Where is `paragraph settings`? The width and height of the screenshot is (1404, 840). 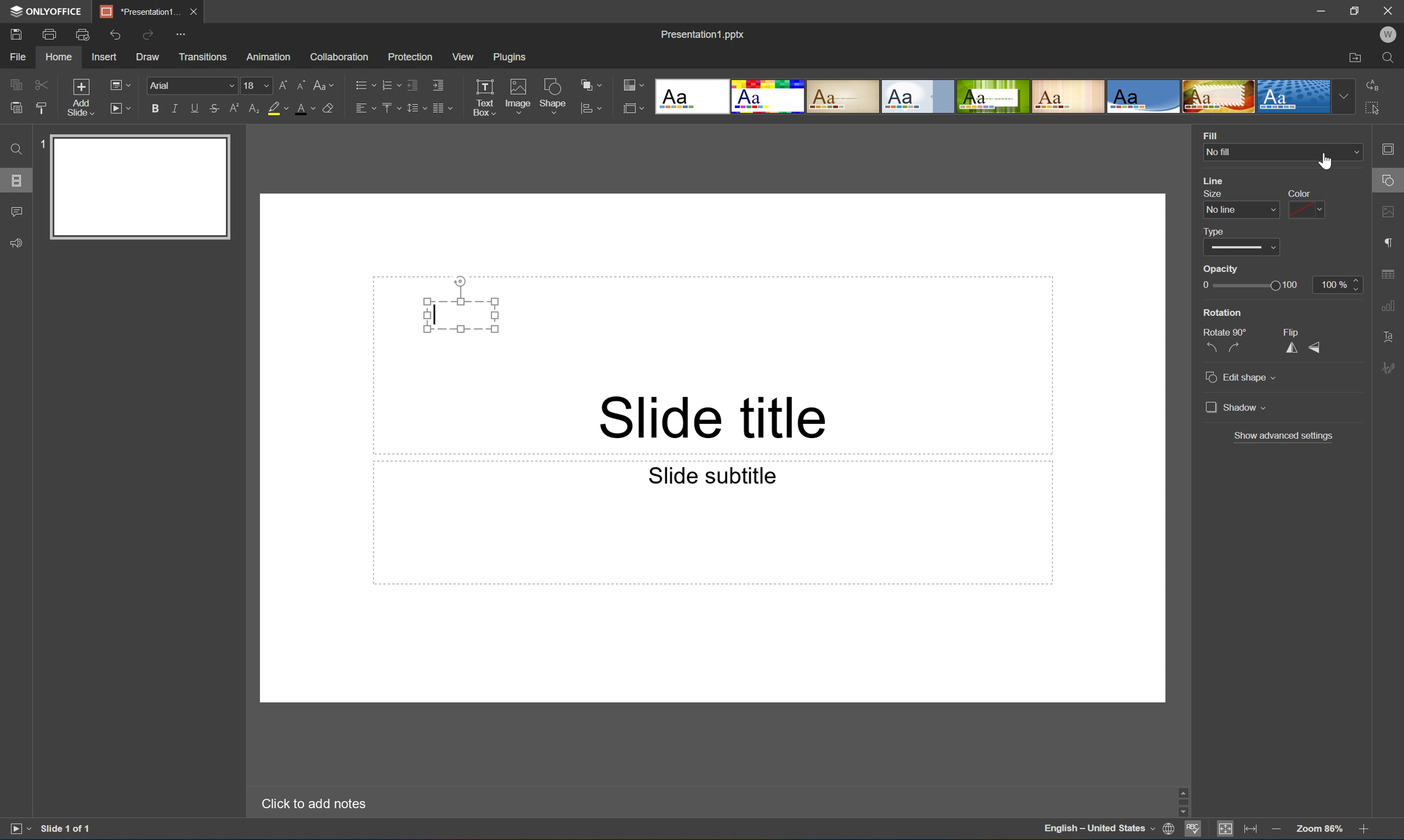
paragraph settings is located at coordinates (1391, 241).